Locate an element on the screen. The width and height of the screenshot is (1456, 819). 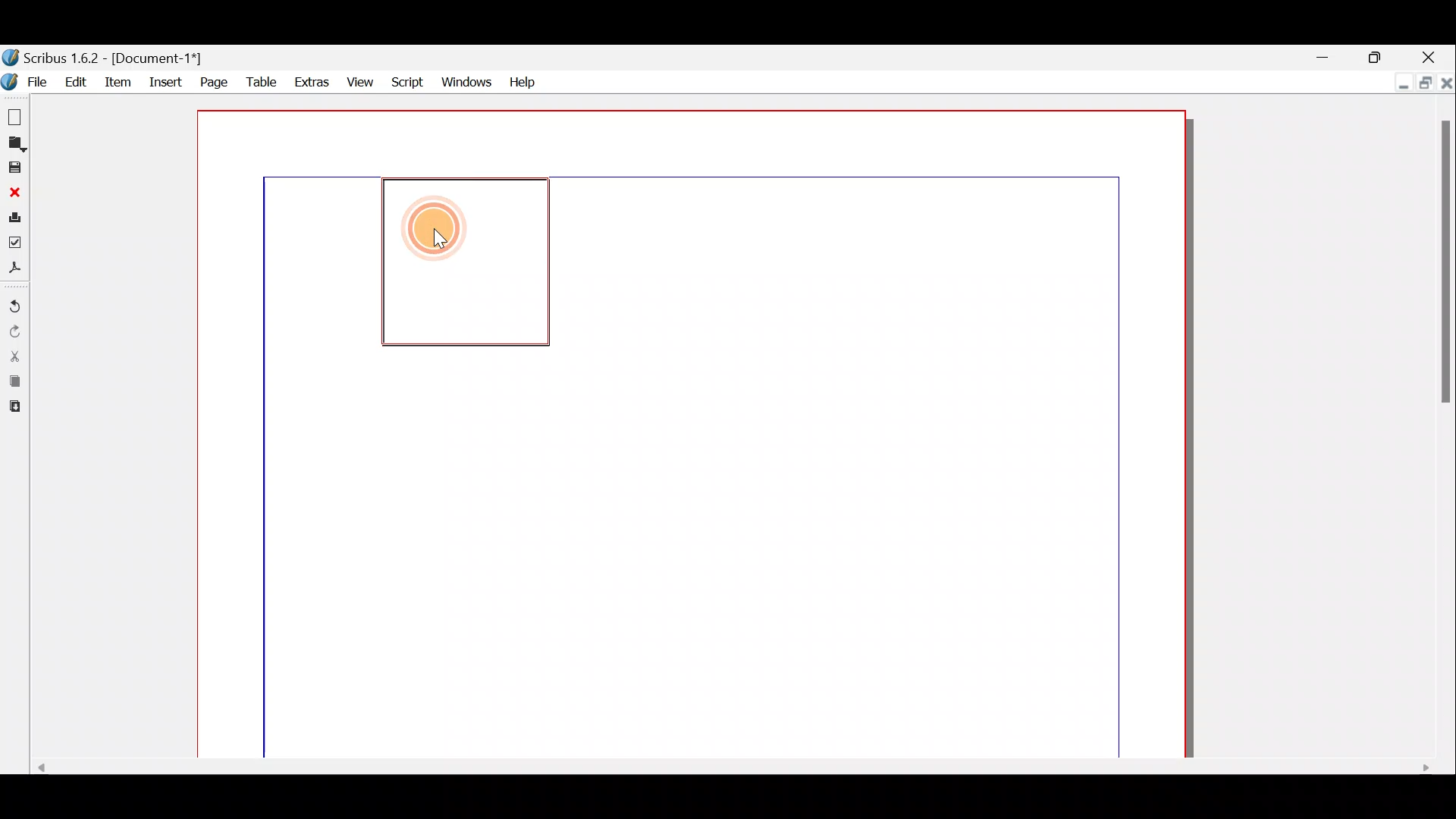
Copy is located at coordinates (12, 383).